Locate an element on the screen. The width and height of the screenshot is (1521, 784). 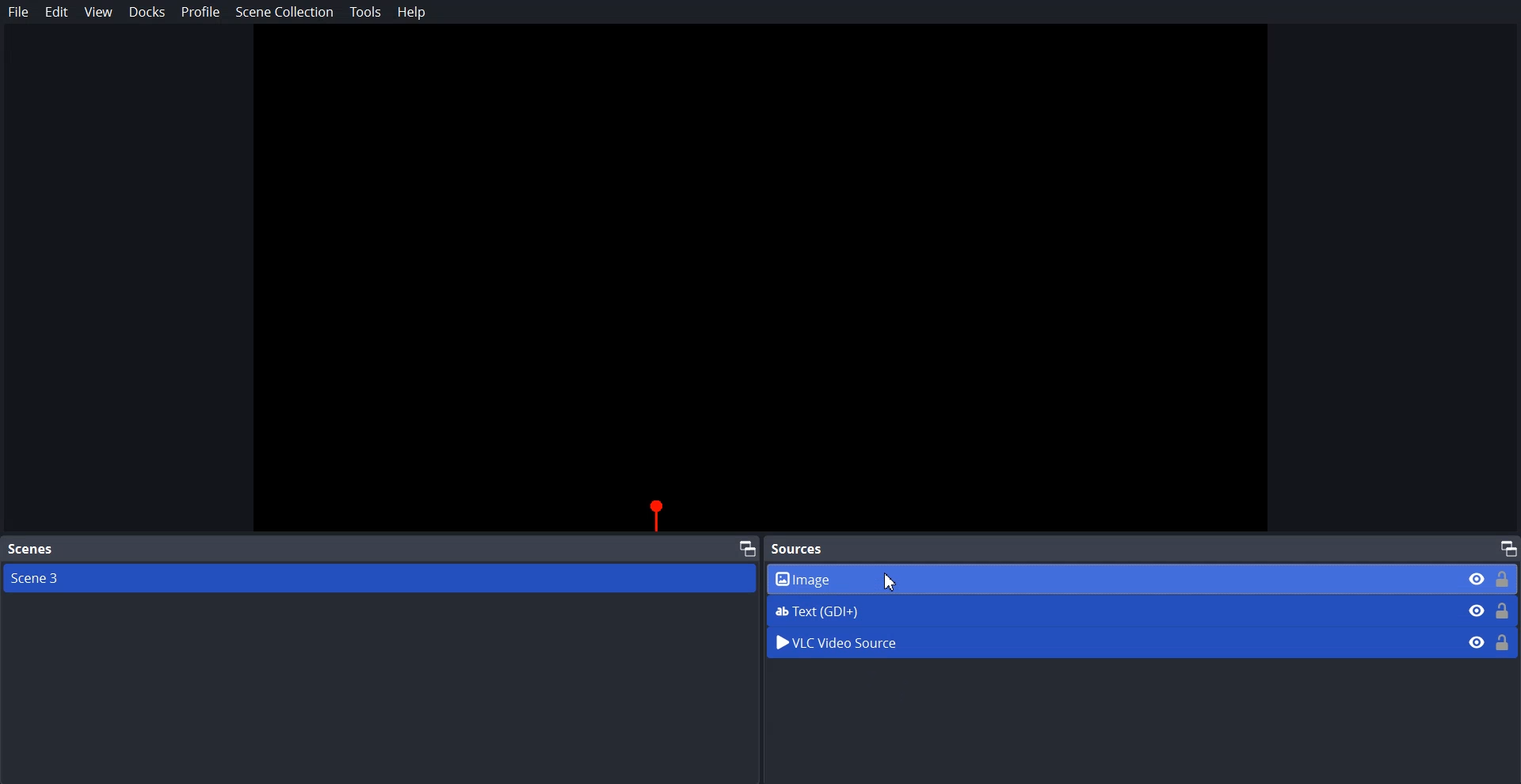
View is located at coordinates (98, 13).